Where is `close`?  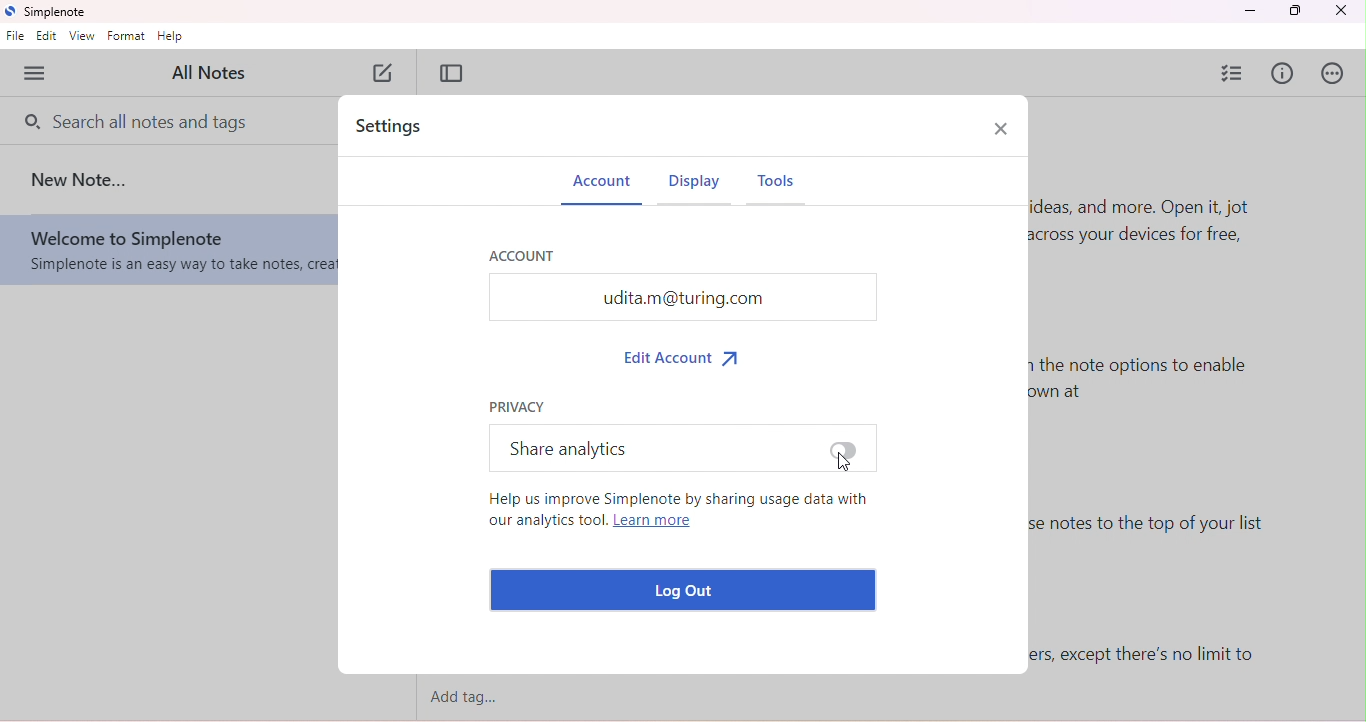 close is located at coordinates (1000, 127).